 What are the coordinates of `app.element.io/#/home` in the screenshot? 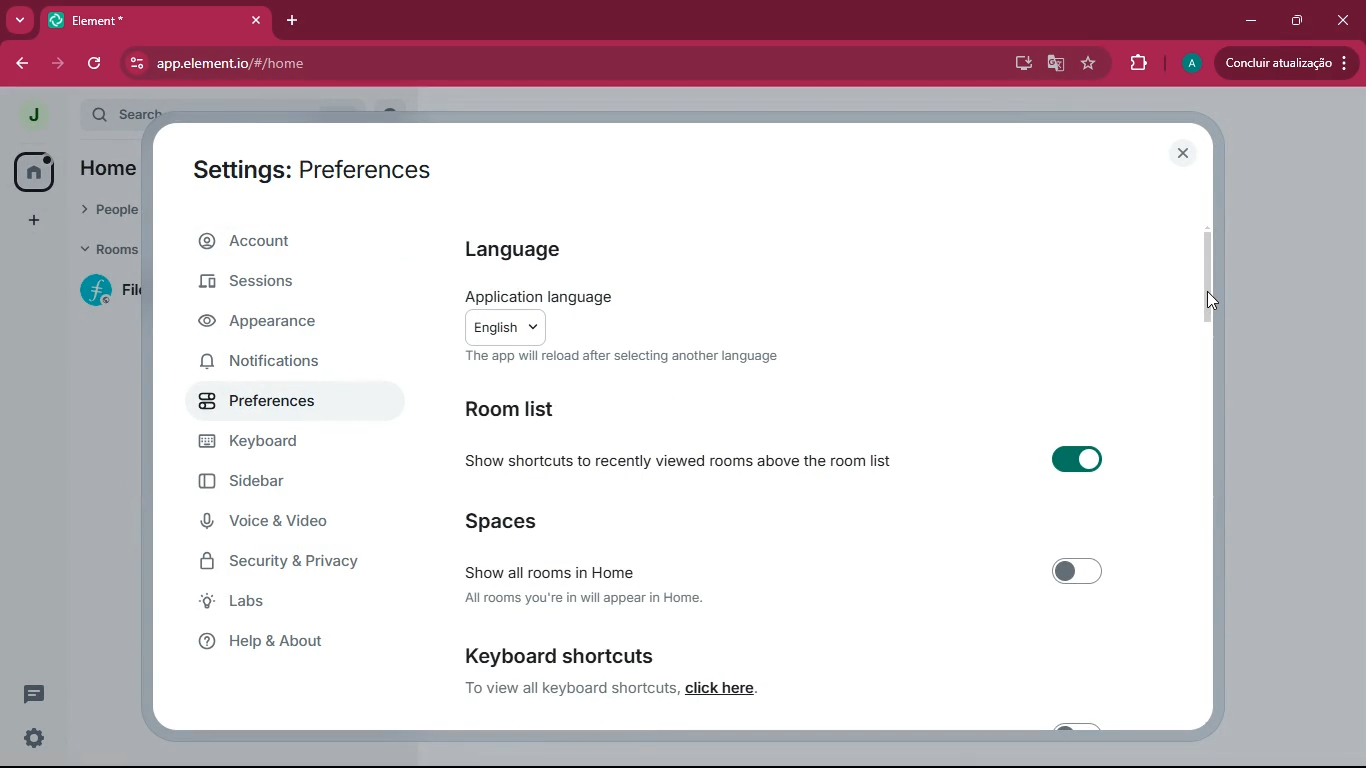 It's located at (351, 63).